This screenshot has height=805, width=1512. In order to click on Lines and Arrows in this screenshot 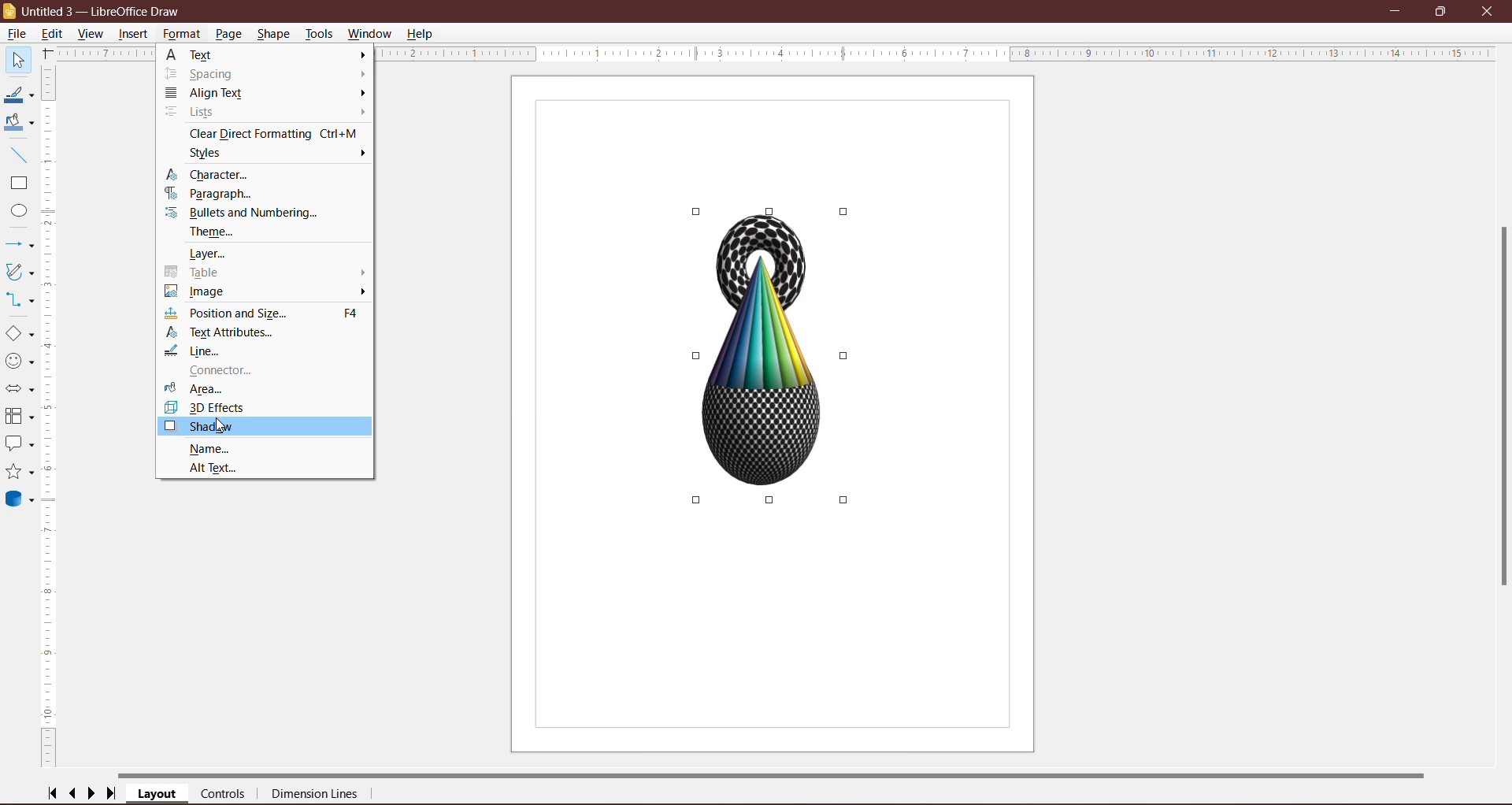, I will do `click(20, 244)`.